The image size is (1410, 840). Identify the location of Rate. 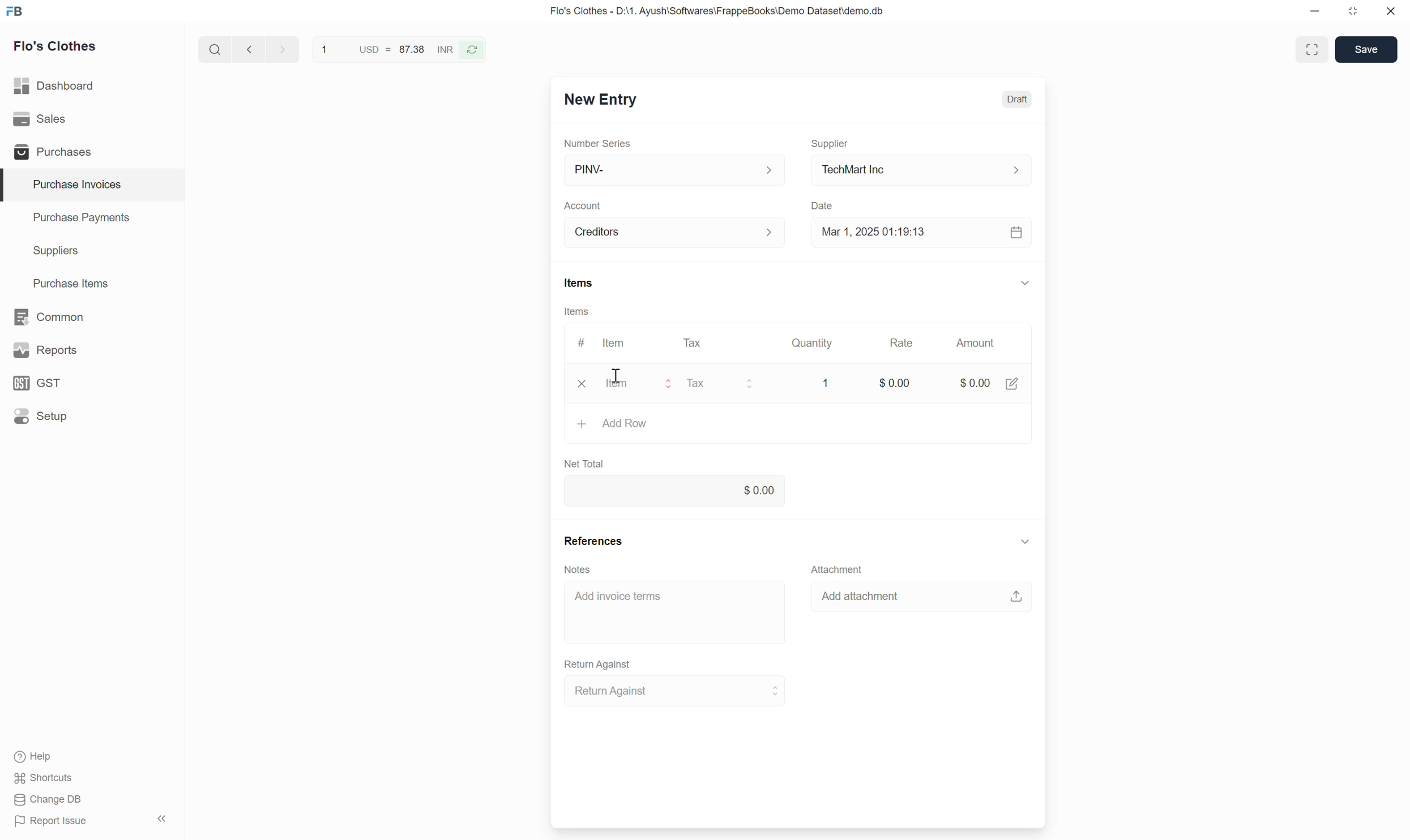
(903, 342).